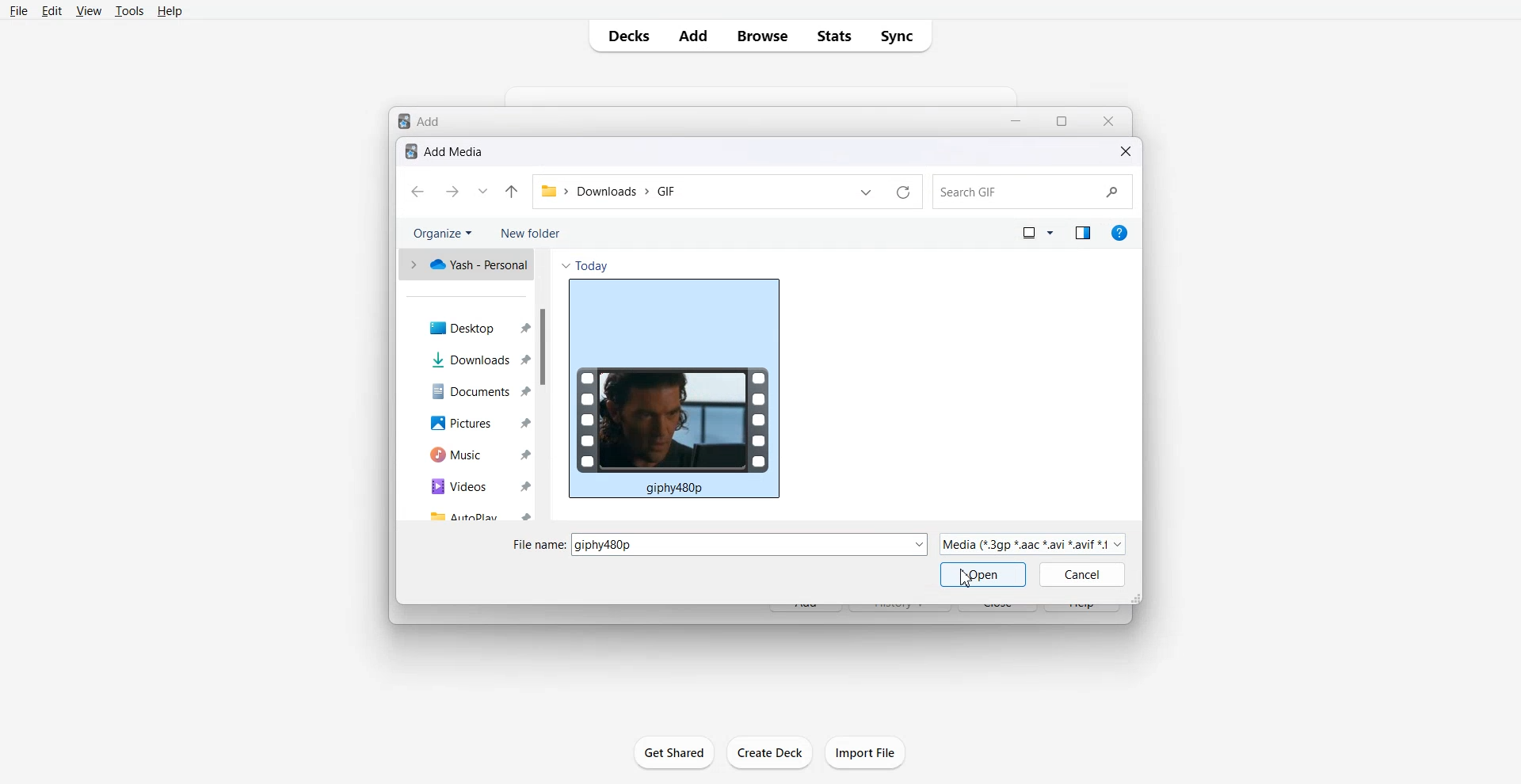  I want to click on New Folder, so click(530, 233).